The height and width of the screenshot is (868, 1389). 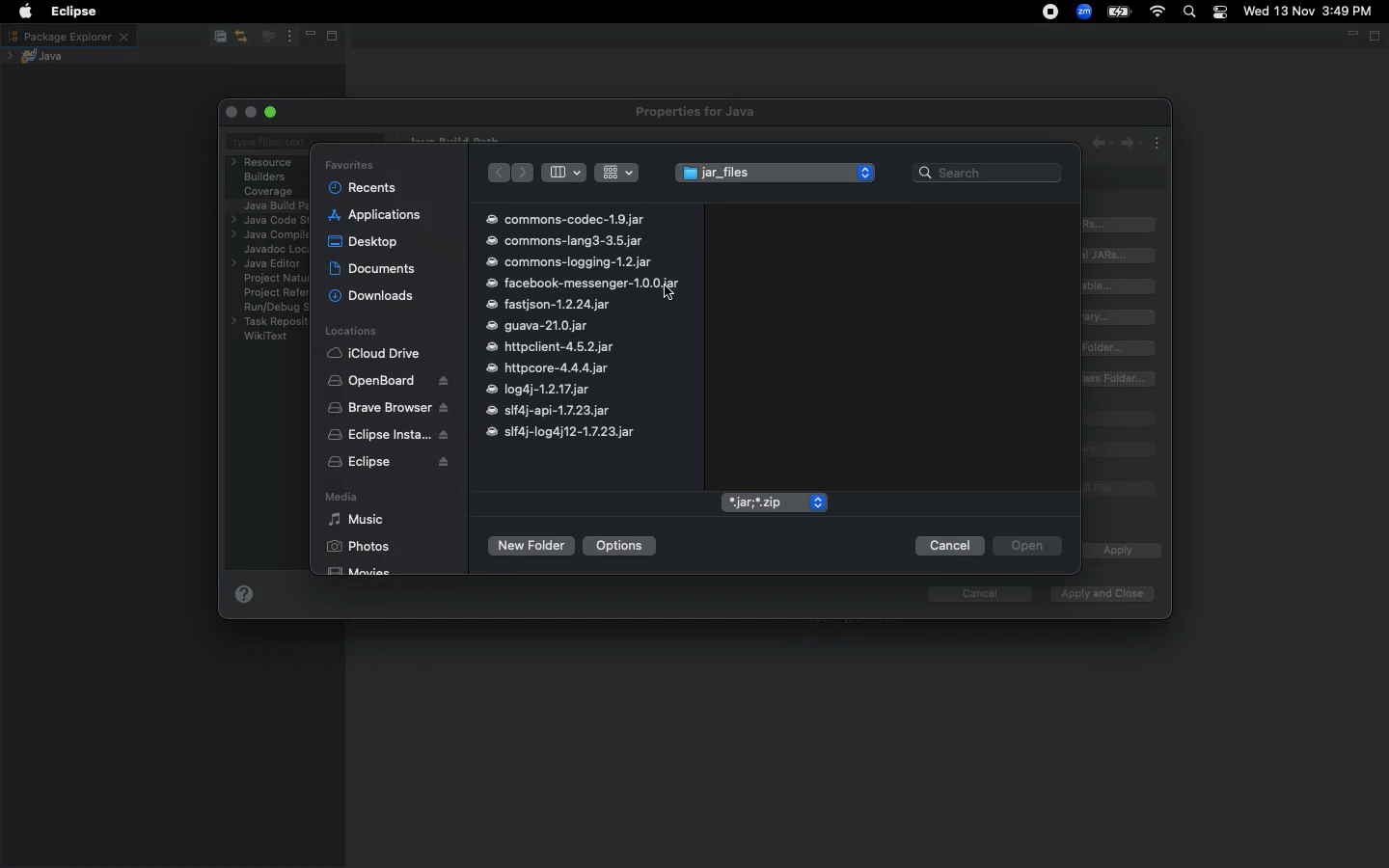 I want to click on Apple logo, so click(x=25, y=12).